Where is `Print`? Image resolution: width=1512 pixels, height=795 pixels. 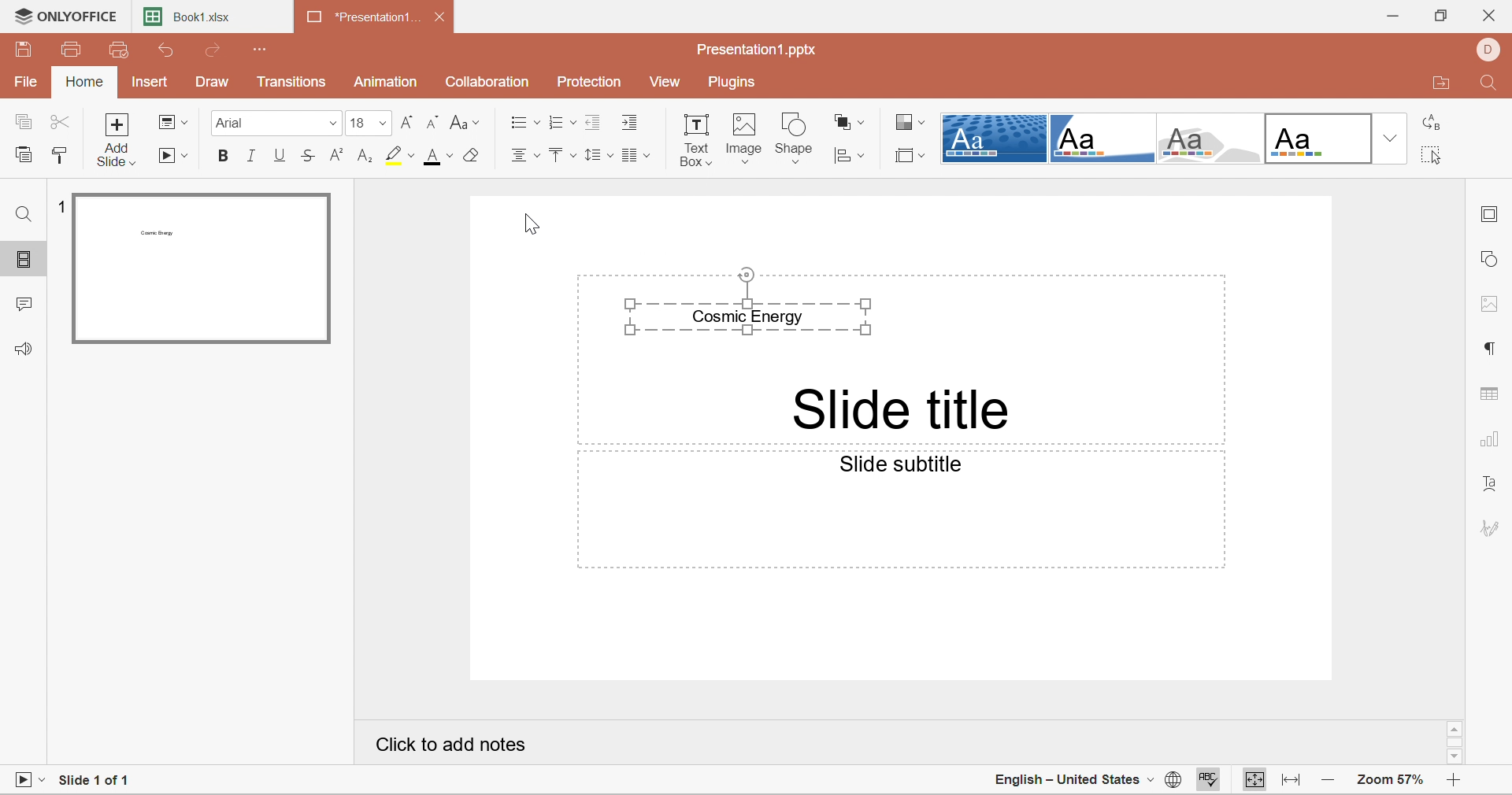 Print is located at coordinates (74, 50).